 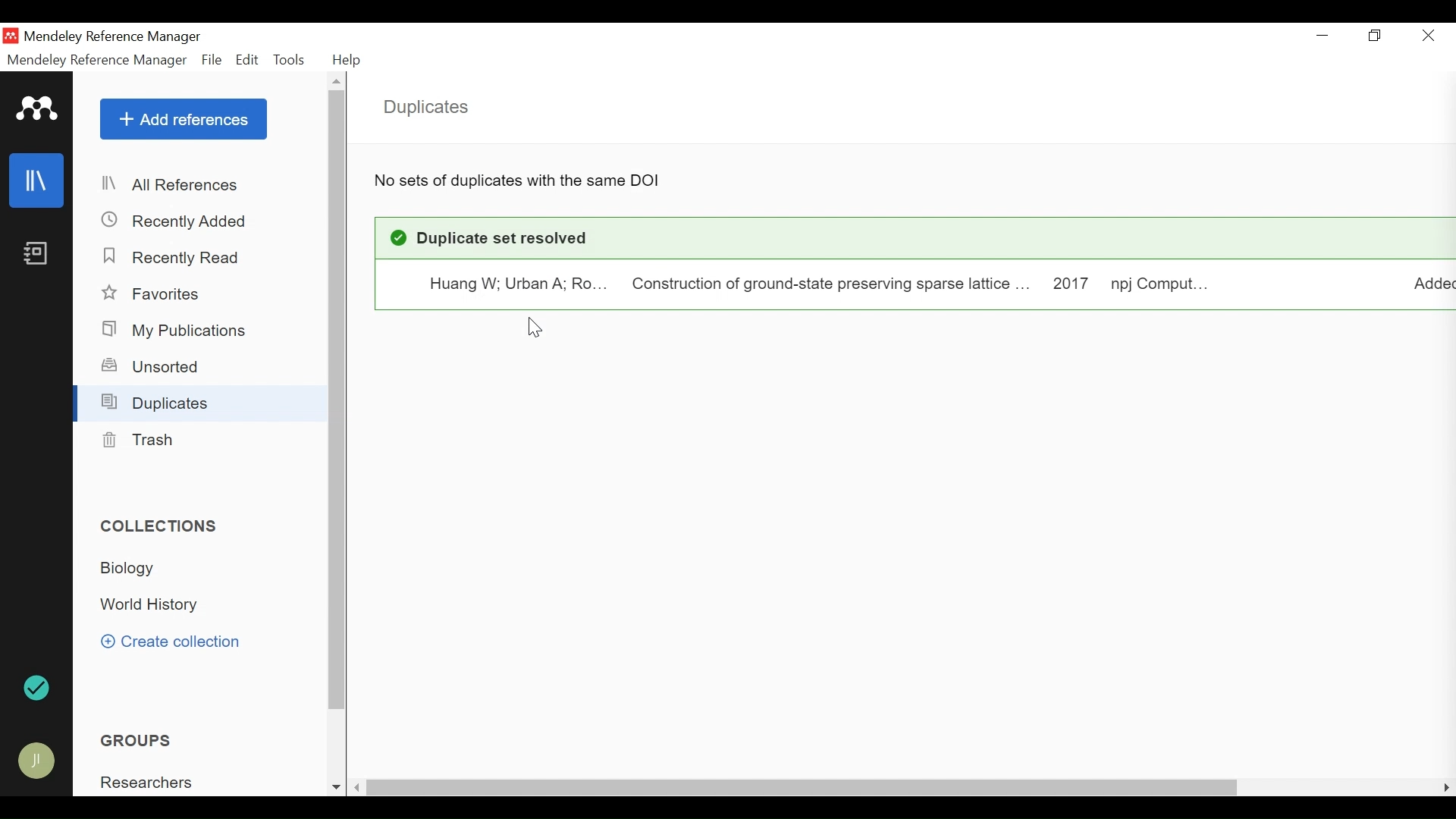 I want to click on Duplicates, so click(x=428, y=107).